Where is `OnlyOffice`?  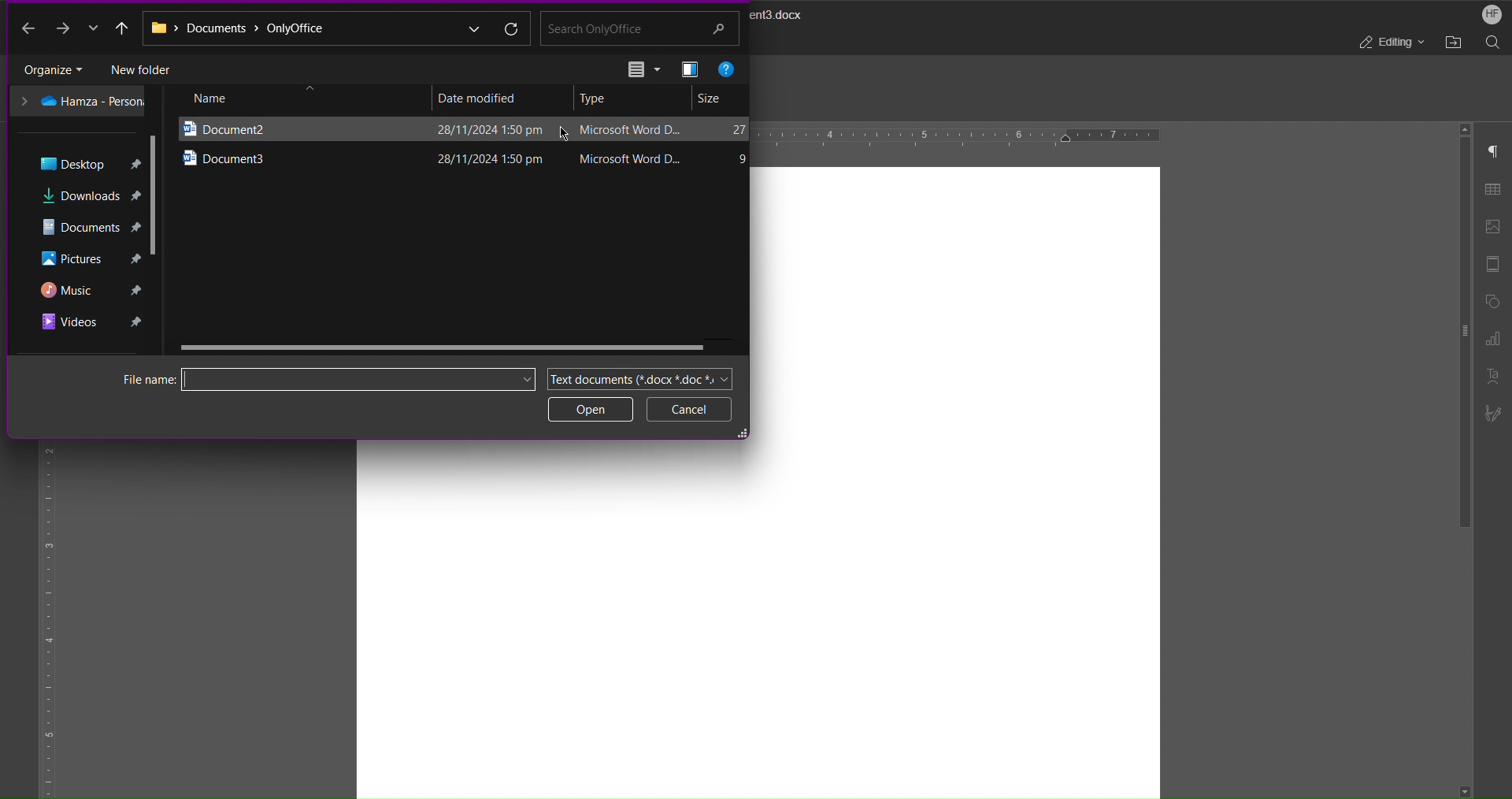
OnlyOffice is located at coordinates (311, 29).